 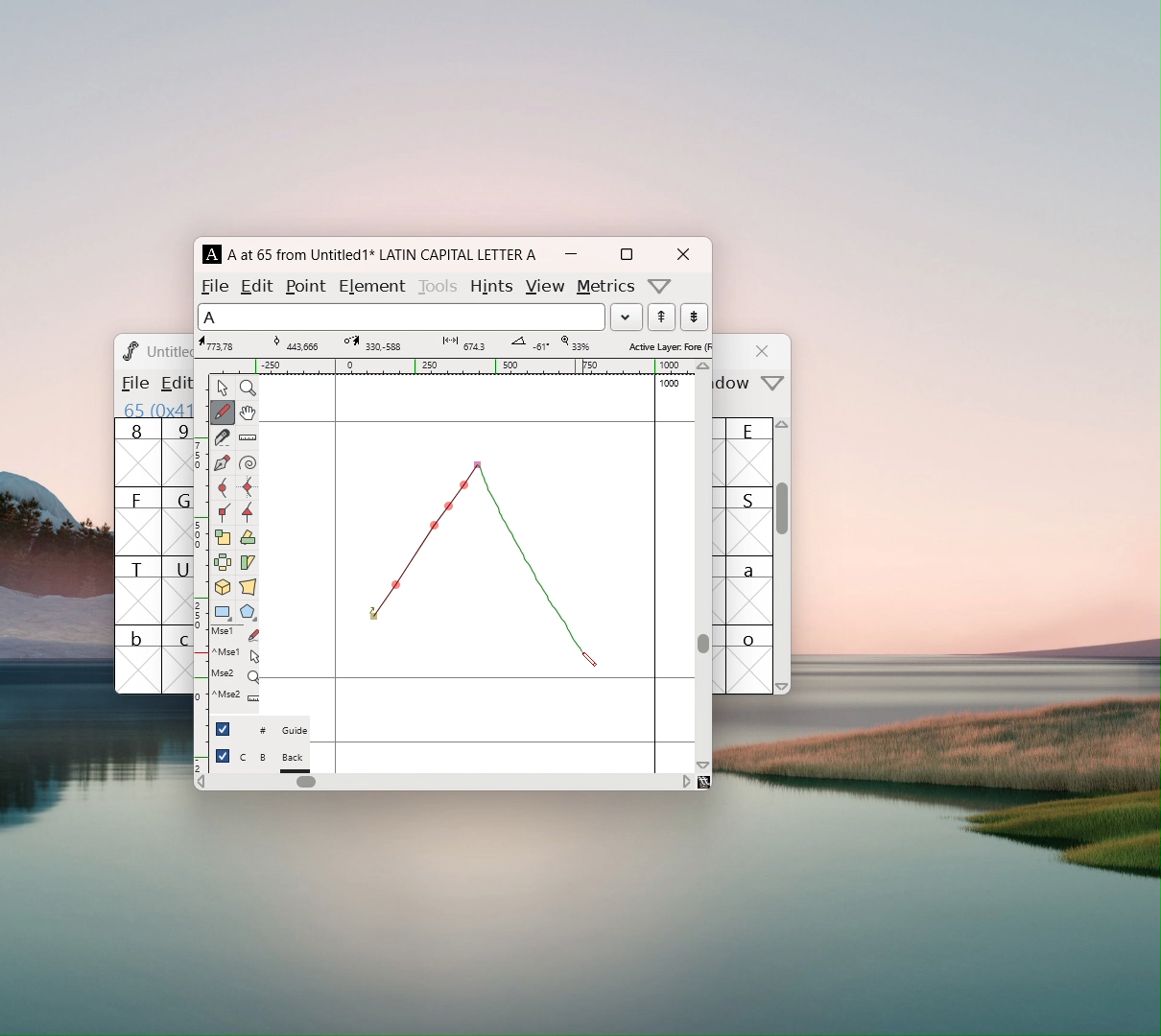 I want to click on logo, so click(x=129, y=350).